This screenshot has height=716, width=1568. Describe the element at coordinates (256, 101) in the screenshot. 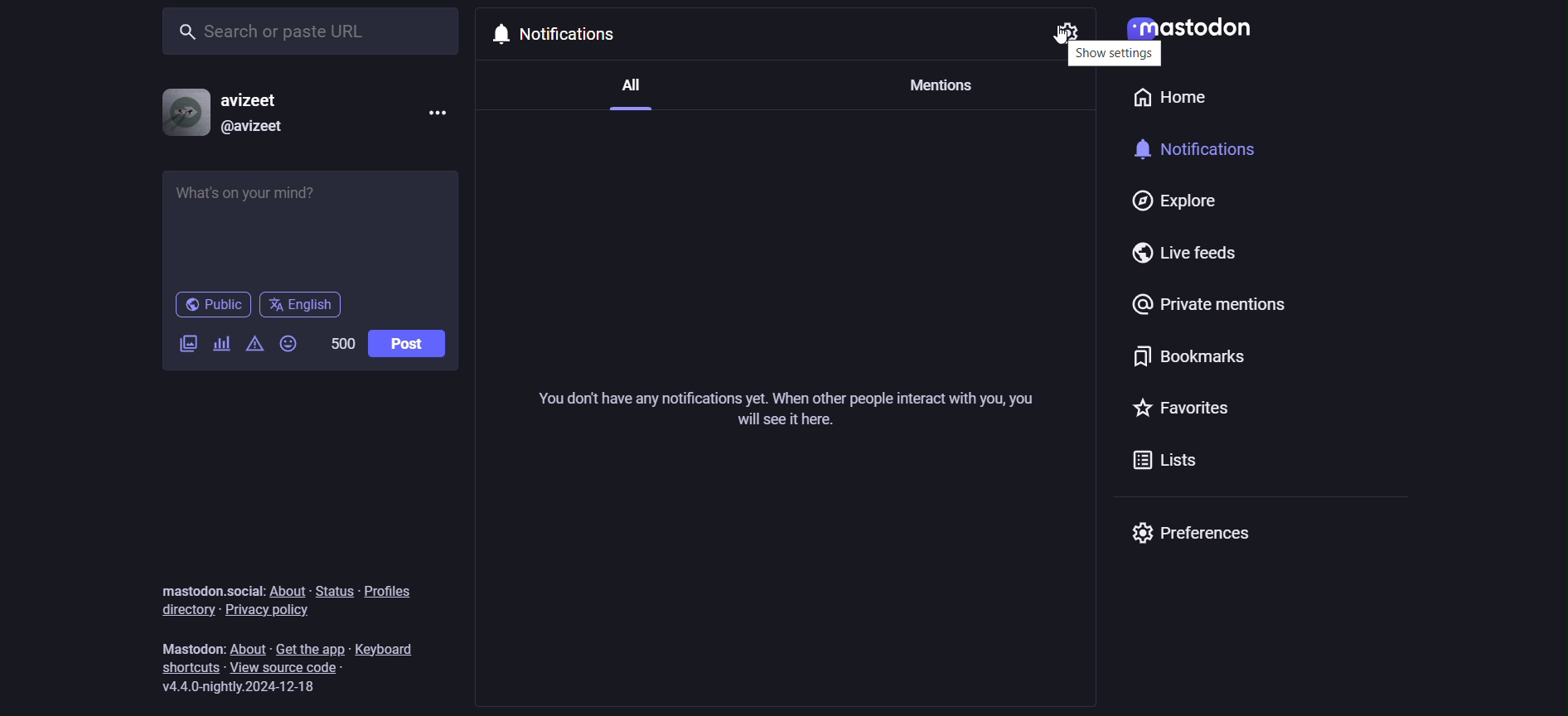

I see `avizeet` at that location.